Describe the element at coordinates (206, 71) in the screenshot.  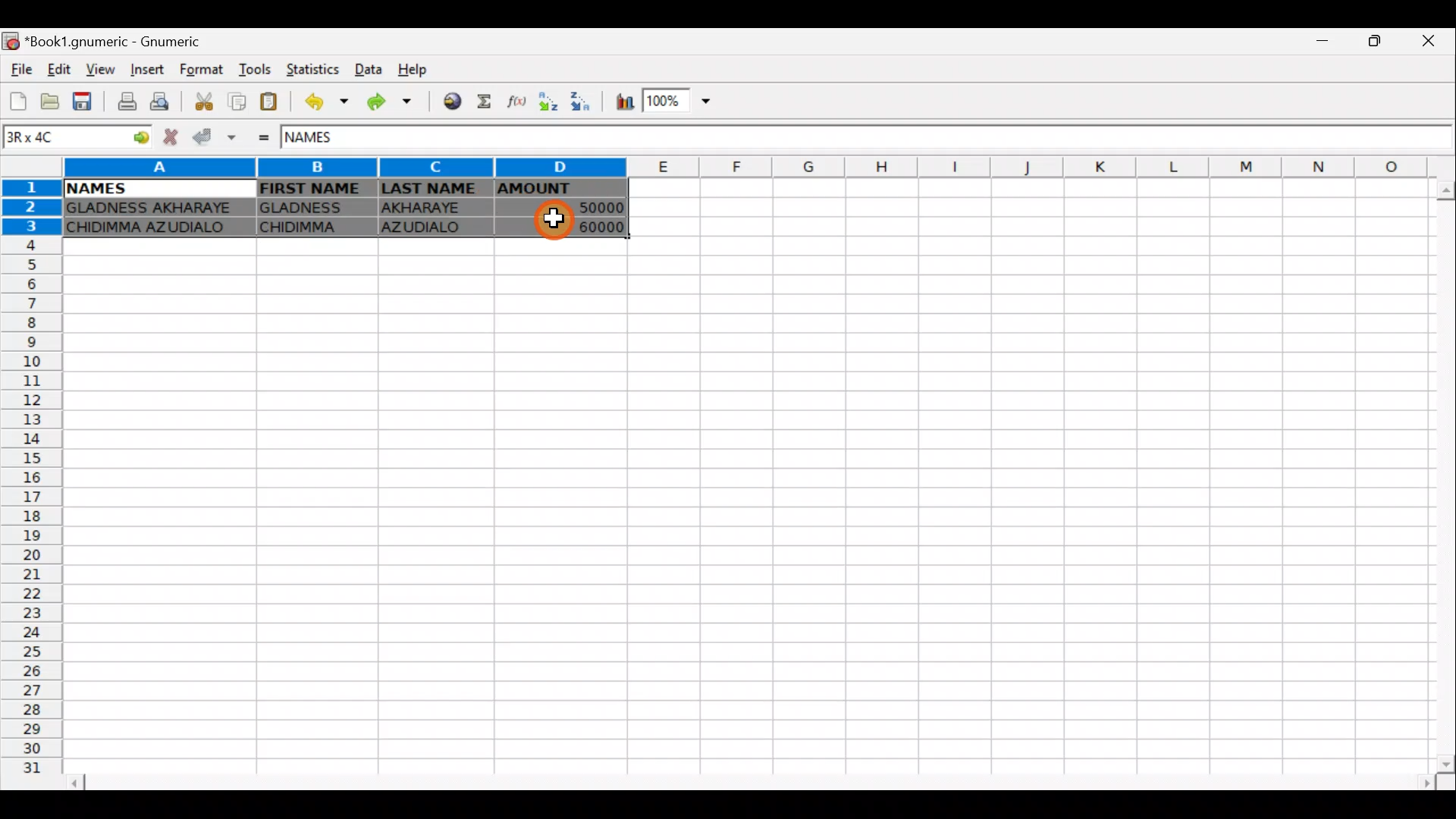
I see `Format` at that location.